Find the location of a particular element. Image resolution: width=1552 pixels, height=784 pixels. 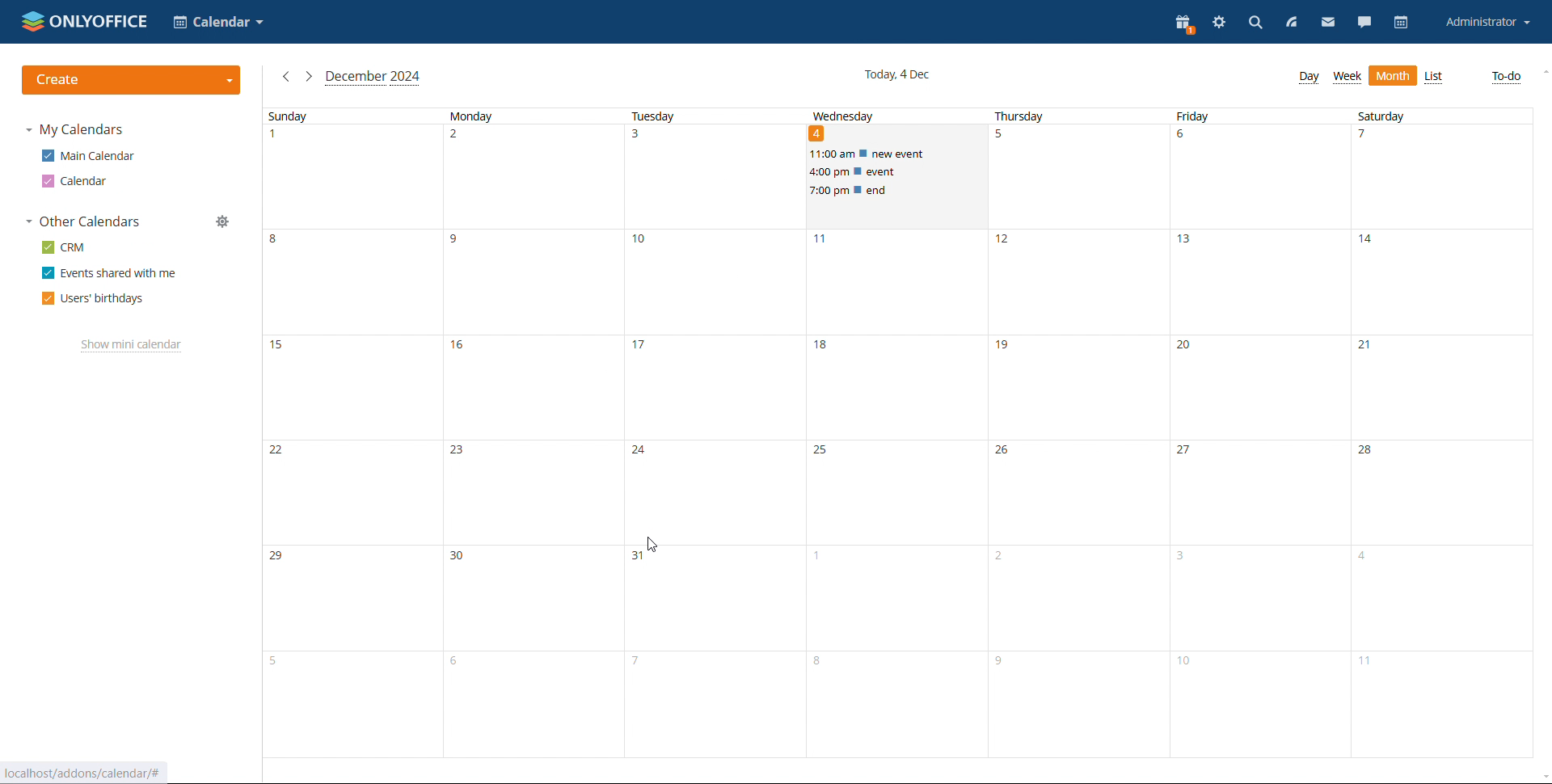

to-do is located at coordinates (1506, 78).